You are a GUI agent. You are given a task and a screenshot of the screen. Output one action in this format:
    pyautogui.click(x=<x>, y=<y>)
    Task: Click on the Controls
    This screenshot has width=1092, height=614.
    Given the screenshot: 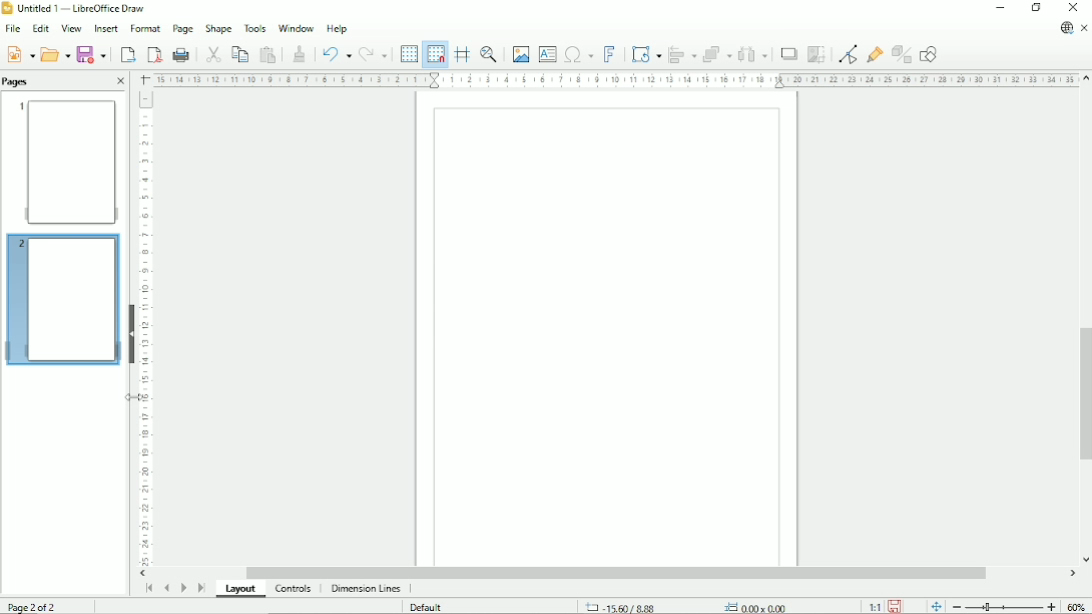 What is the action you would take?
    pyautogui.click(x=295, y=589)
    